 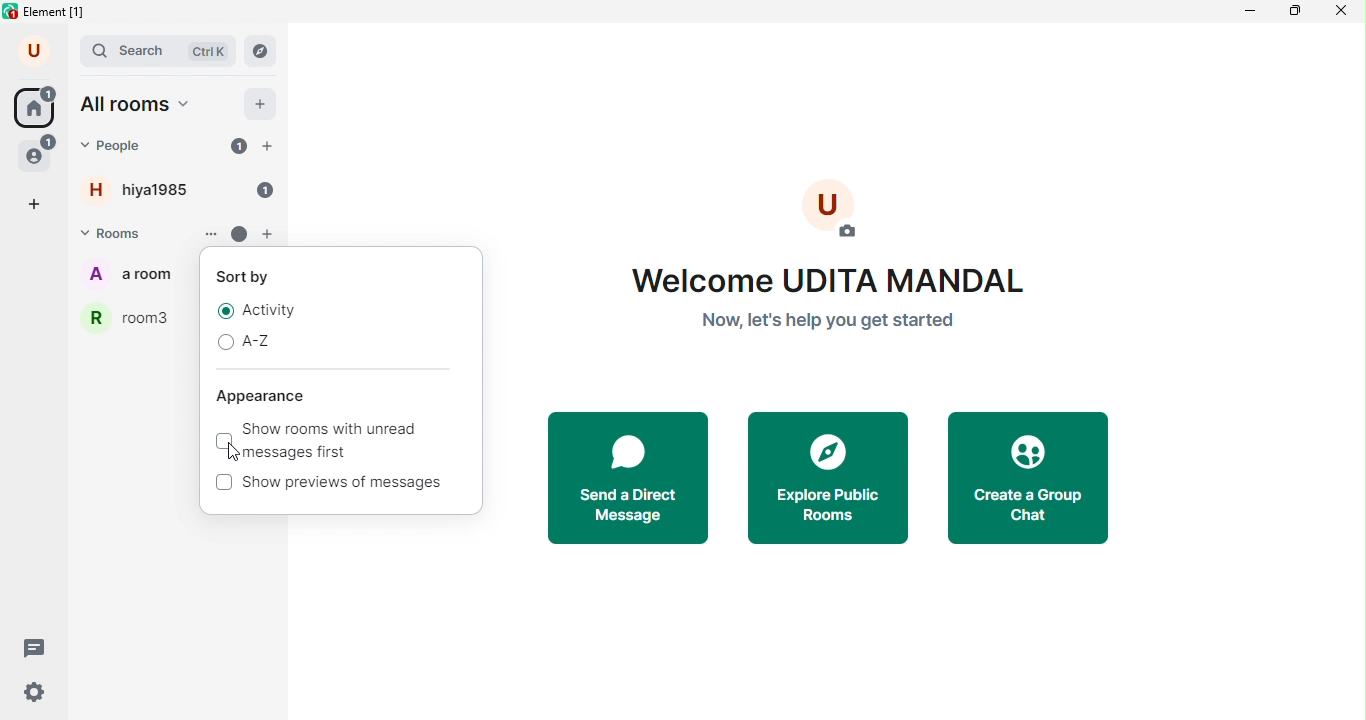 What do you see at coordinates (38, 203) in the screenshot?
I see `add space` at bounding box center [38, 203].